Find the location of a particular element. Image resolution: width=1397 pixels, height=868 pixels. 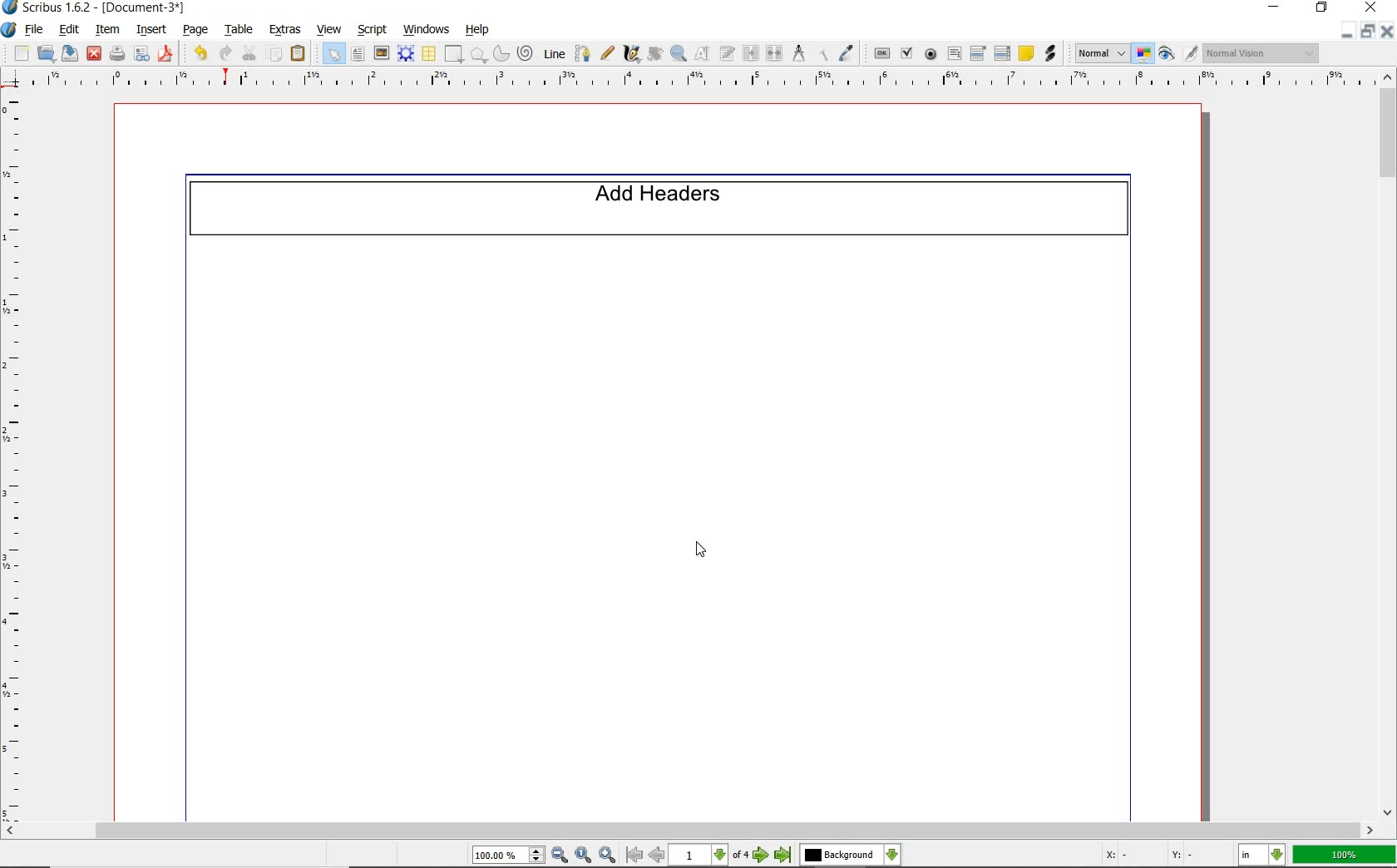

preview mode is located at coordinates (1180, 52).